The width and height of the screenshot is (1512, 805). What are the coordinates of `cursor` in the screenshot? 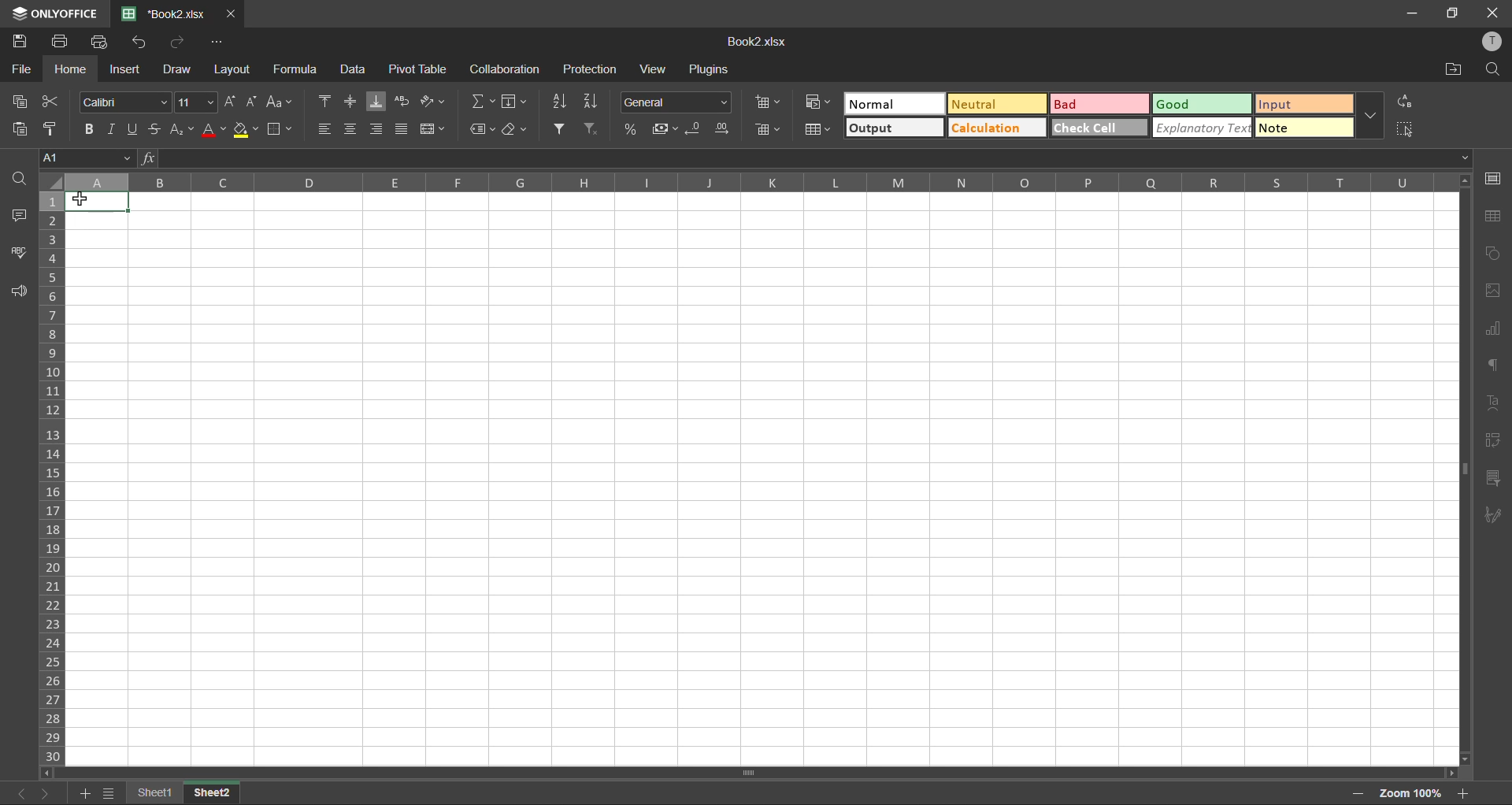 It's located at (83, 200).